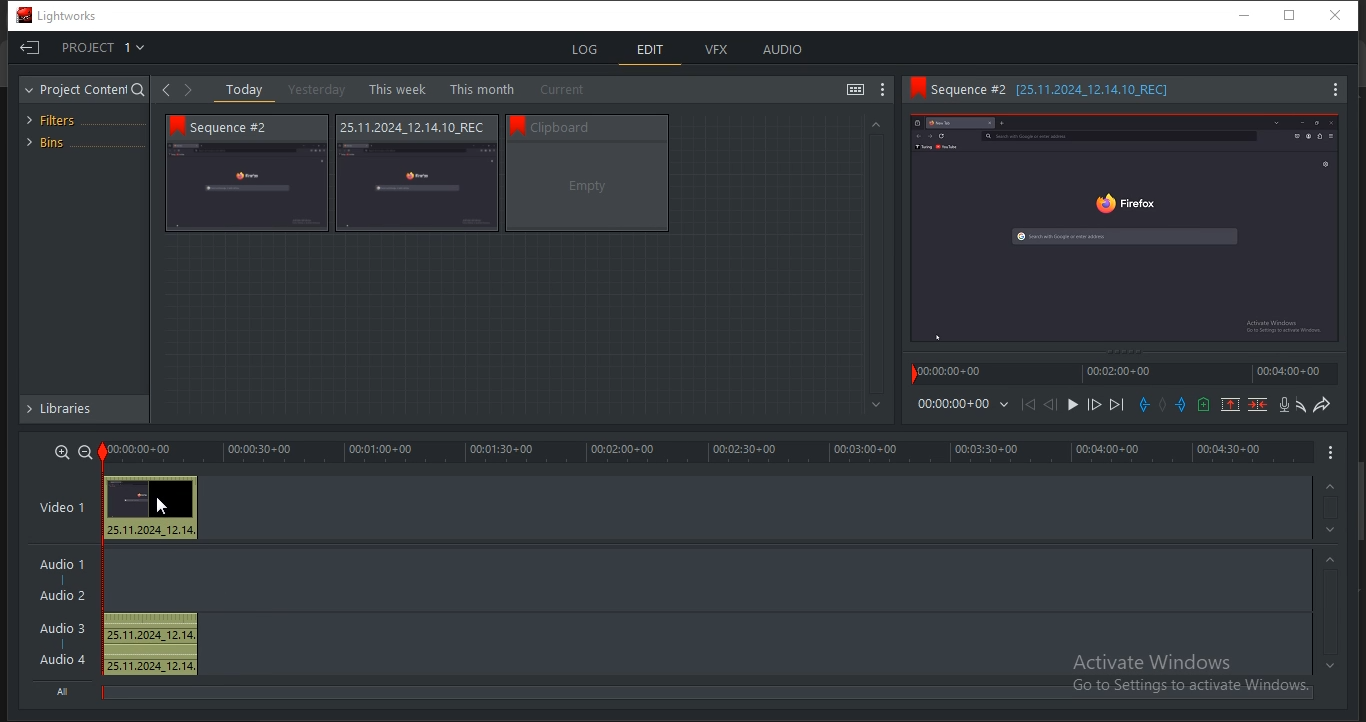 This screenshot has width=1366, height=722. What do you see at coordinates (1123, 226) in the screenshot?
I see `Sequence preview thumbnail` at bounding box center [1123, 226].